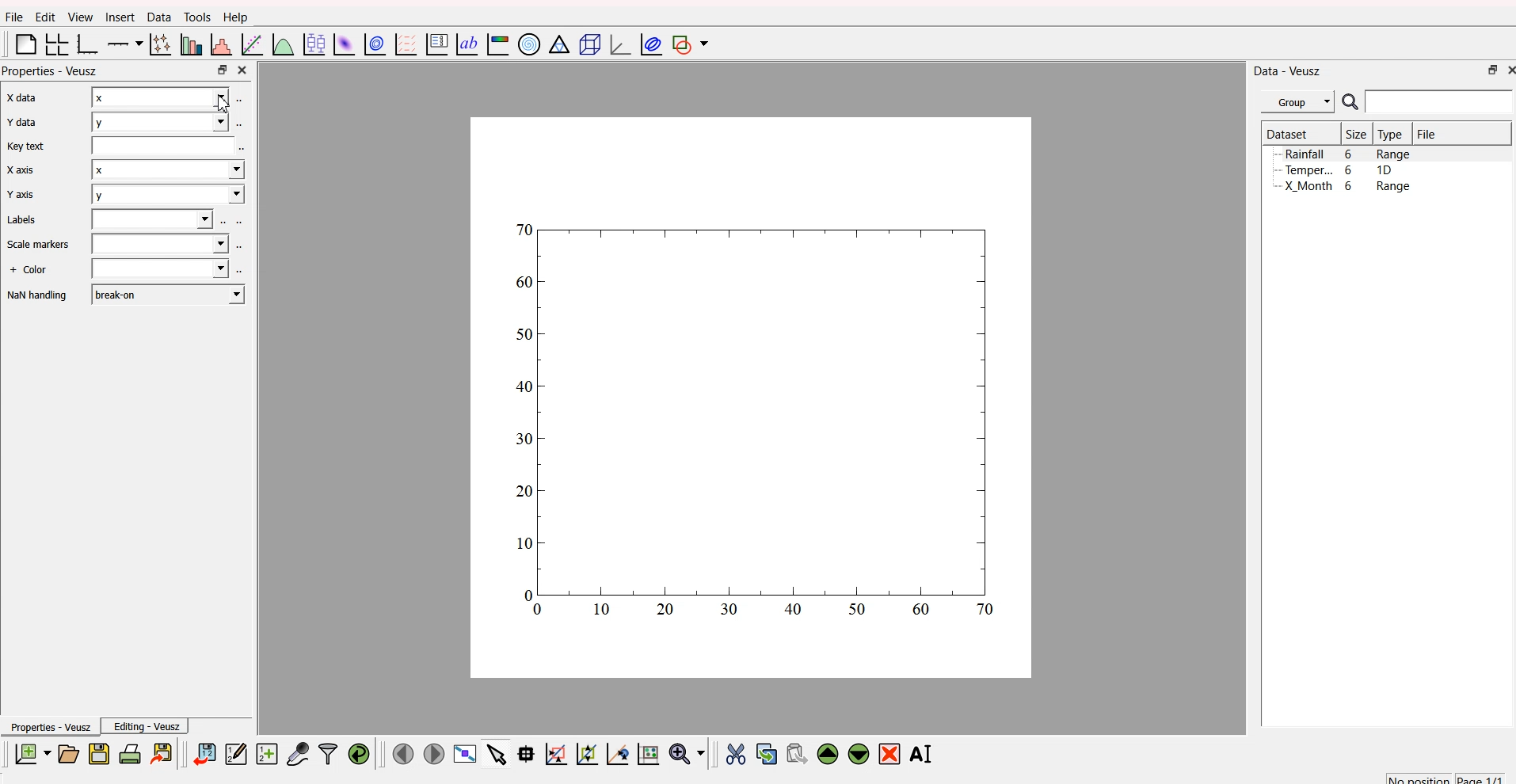 The height and width of the screenshot is (784, 1516). Describe the element at coordinates (1297, 102) in the screenshot. I see `Group` at that location.